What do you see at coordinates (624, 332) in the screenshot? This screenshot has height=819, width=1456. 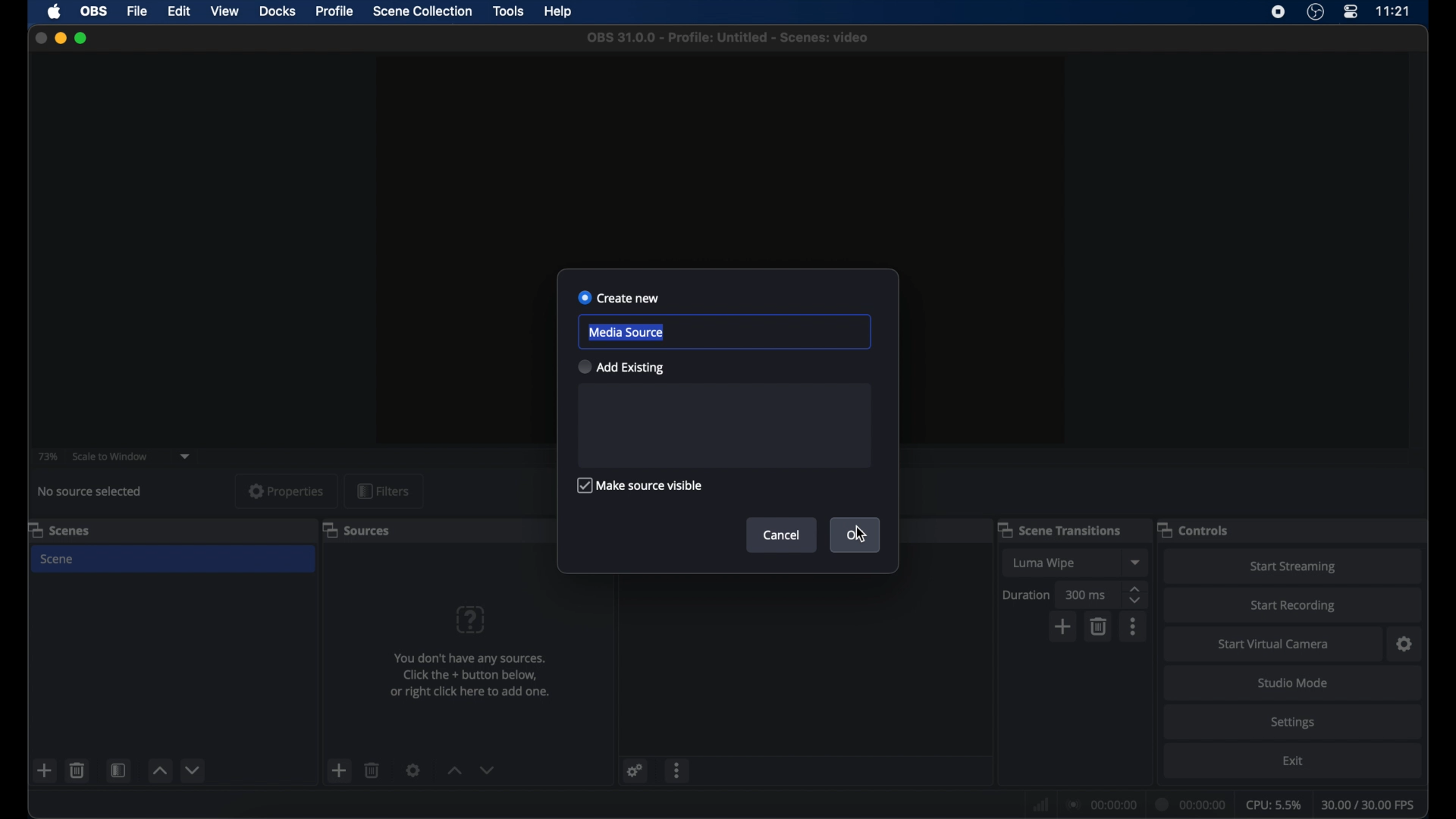 I see `media source` at bounding box center [624, 332].